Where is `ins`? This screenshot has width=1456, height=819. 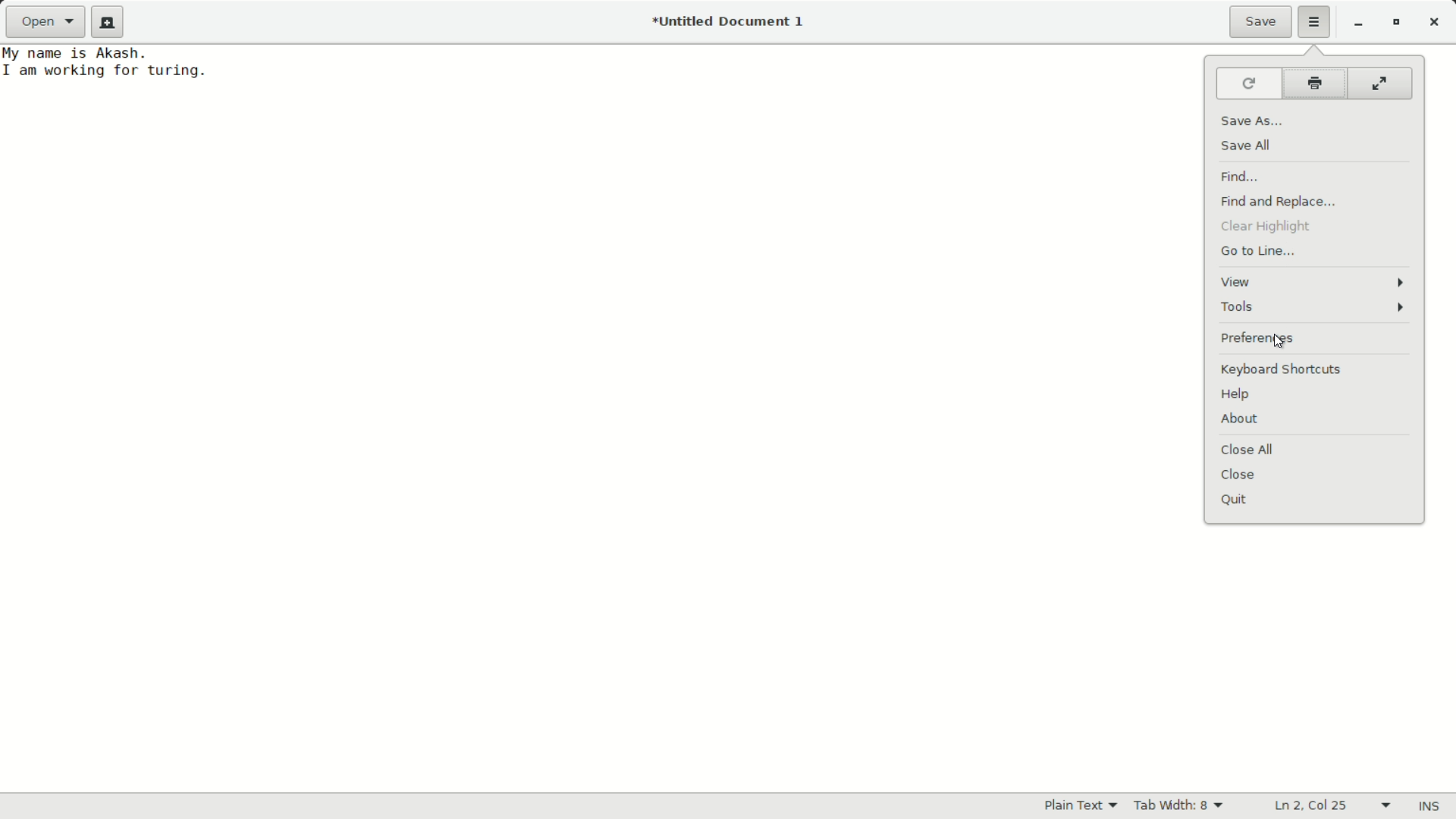 ins is located at coordinates (1429, 807).